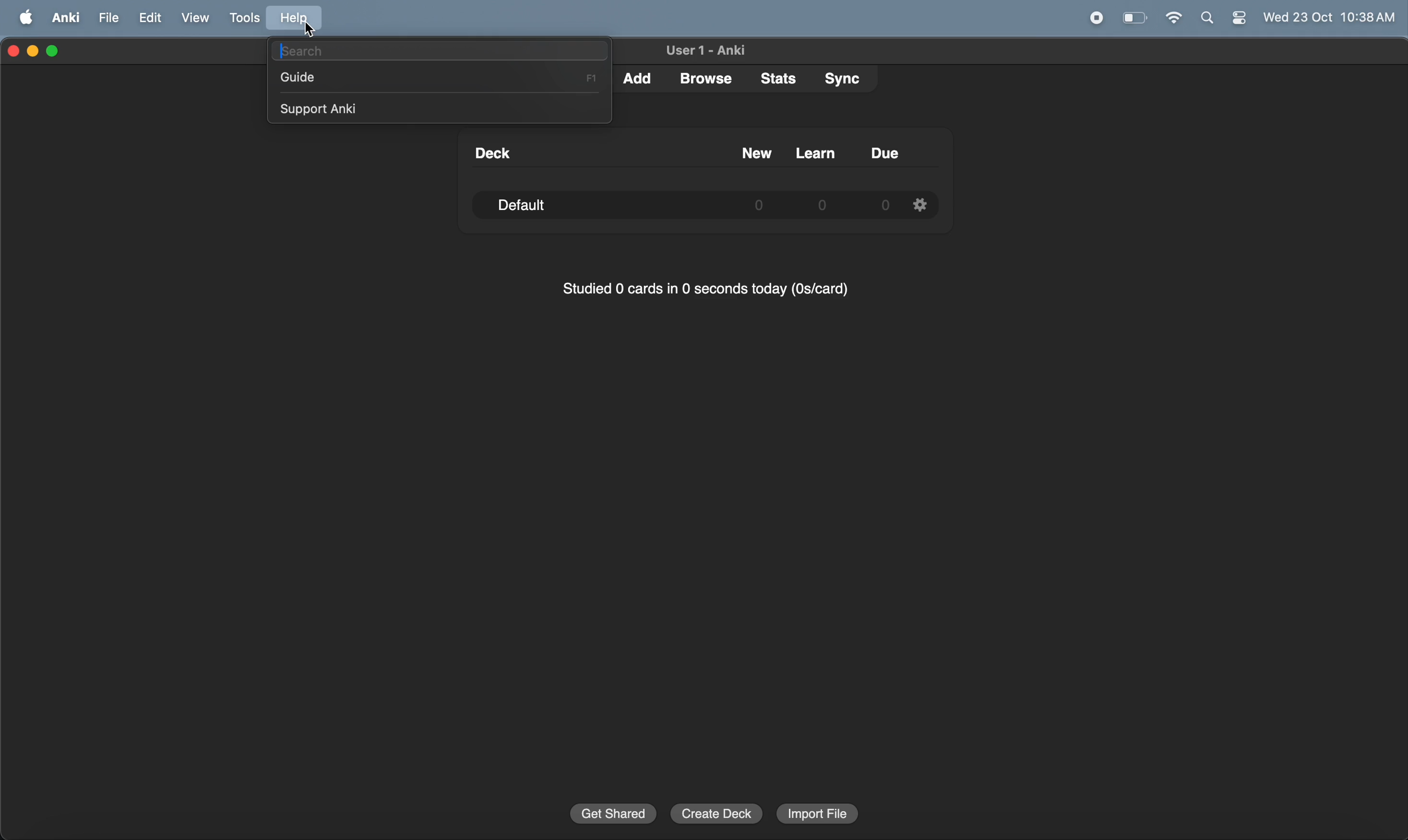 The width and height of the screenshot is (1408, 840). What do you see at coordinates (1328, 18) in the screenshot?
I see `Wed 23 Oct 10:38 AM` at bounding box center [1328, 18].